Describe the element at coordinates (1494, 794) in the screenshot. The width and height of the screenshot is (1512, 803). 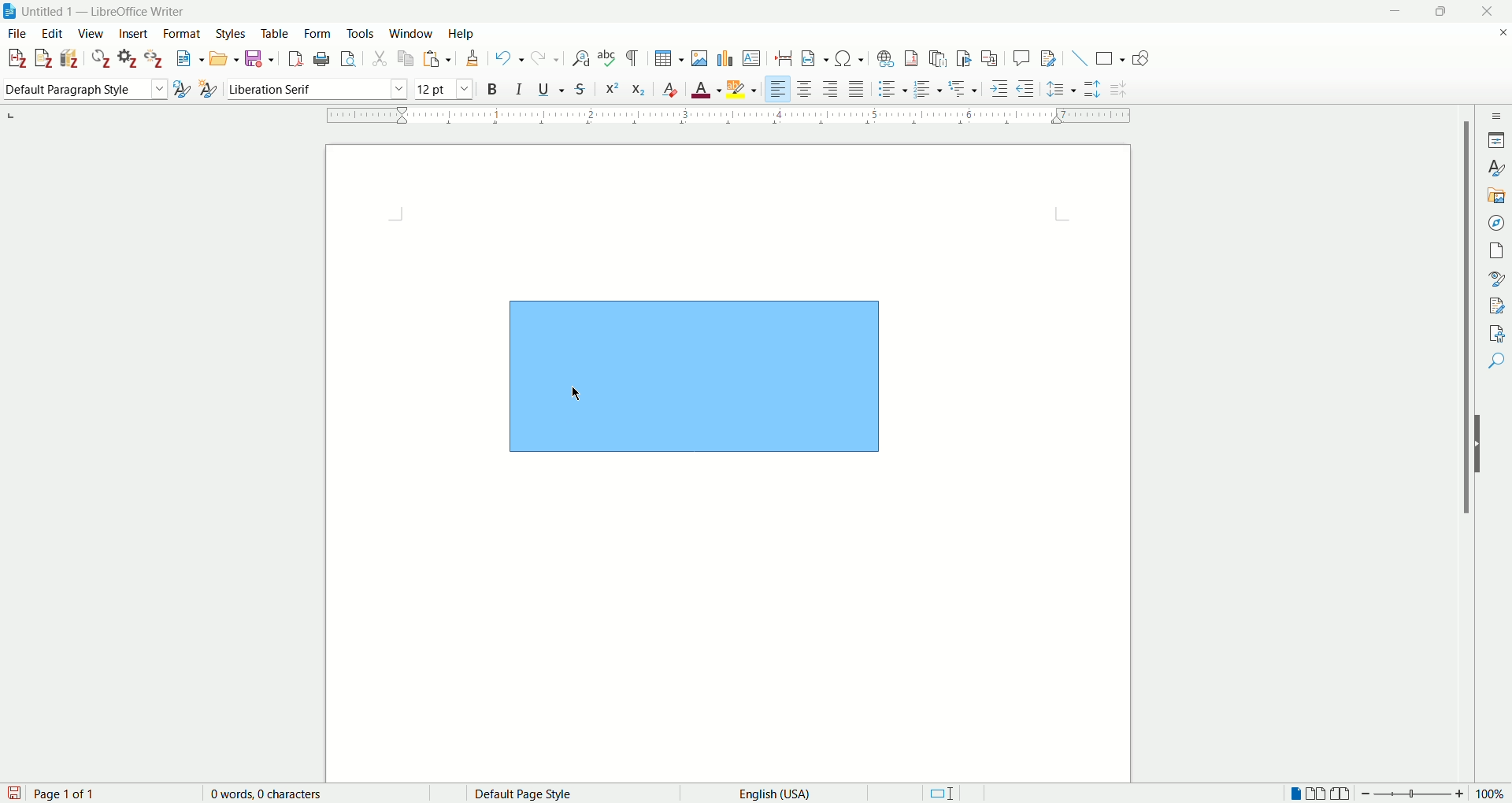
I see `zoom percent` at that location.